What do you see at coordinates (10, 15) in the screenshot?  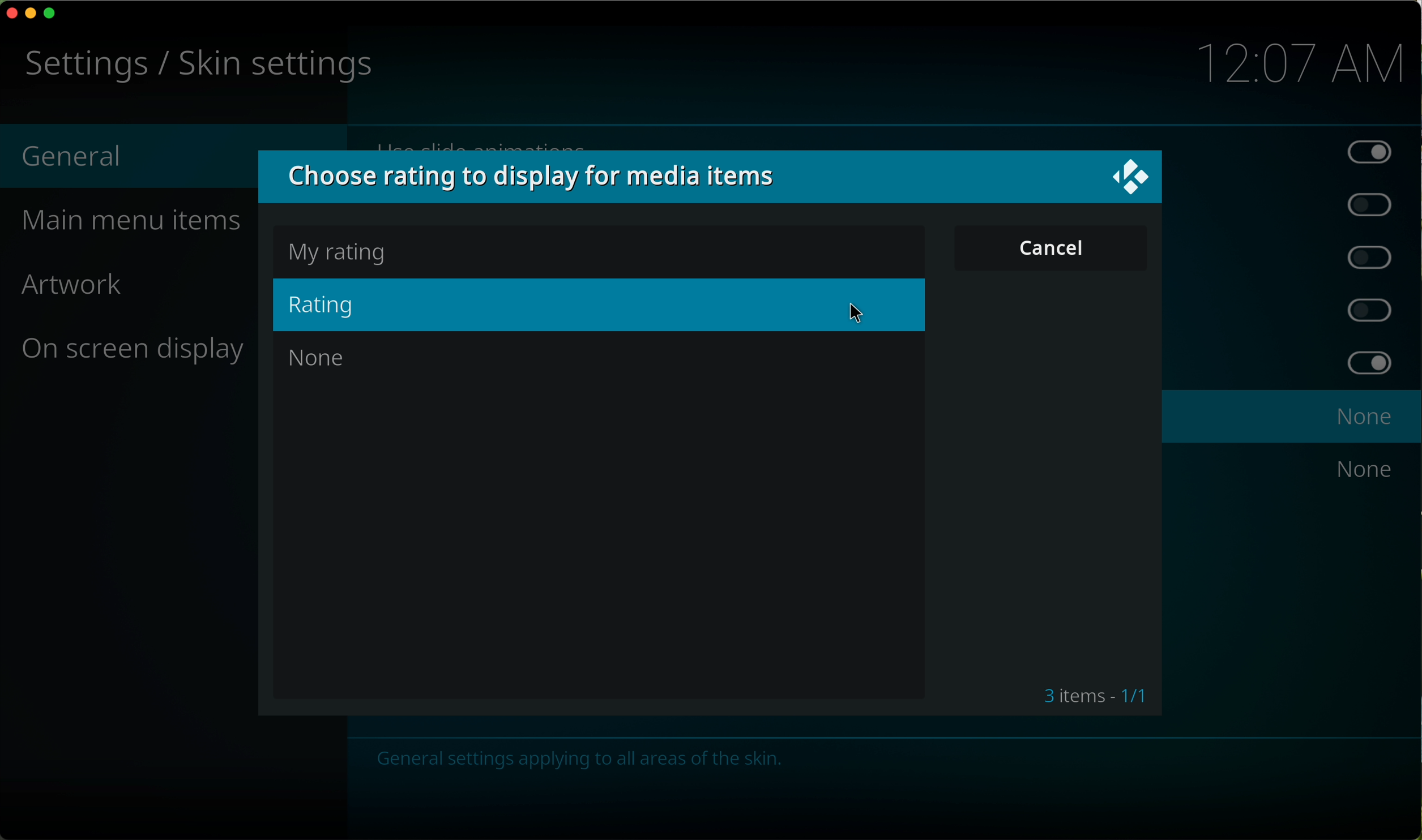 I see `close program` at bounding box center [10, 15].